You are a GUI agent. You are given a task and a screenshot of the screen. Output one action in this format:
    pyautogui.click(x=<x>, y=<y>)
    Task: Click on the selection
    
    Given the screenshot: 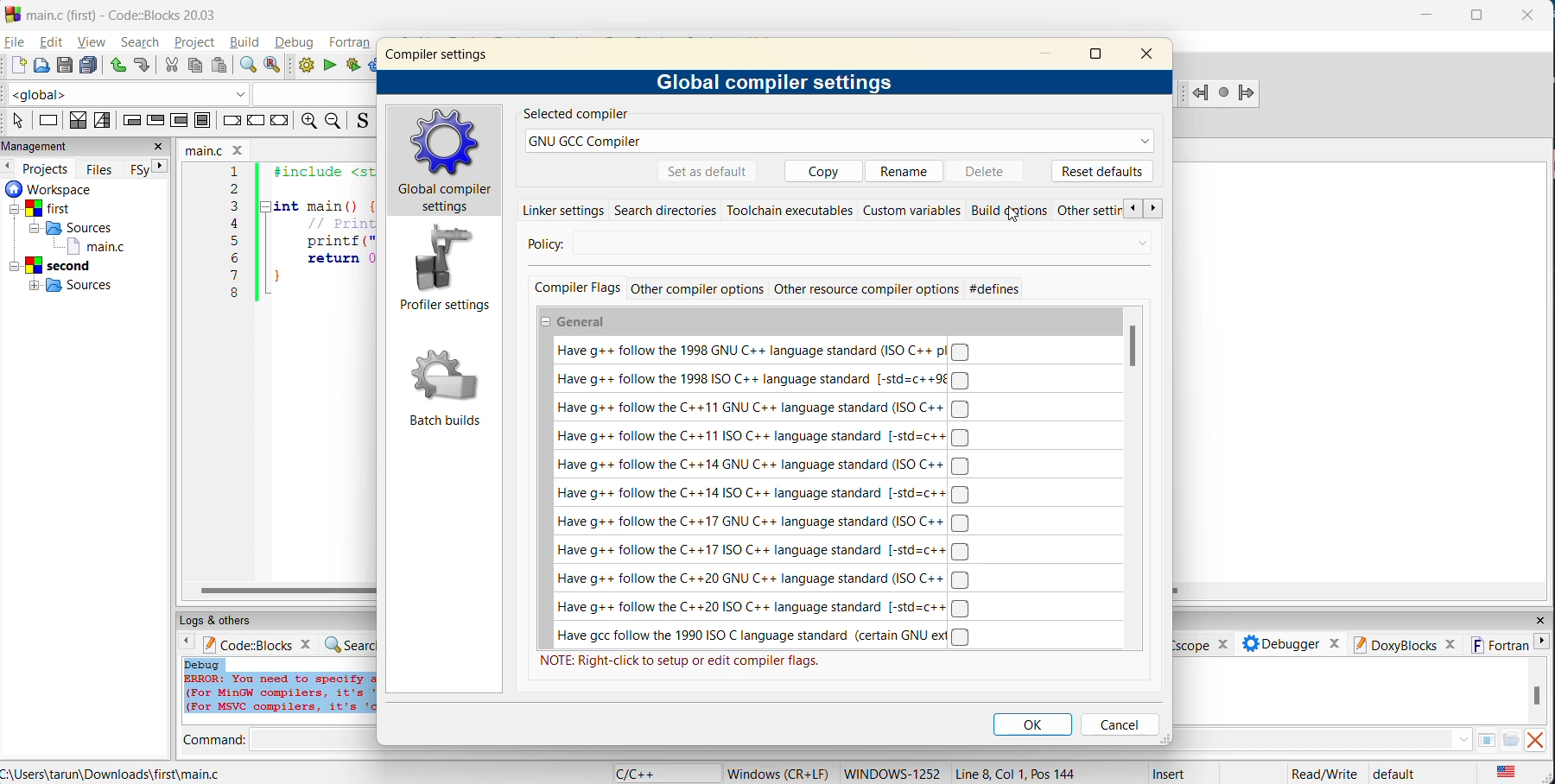 What is the action you would take?
    pyautogui.click(x=101, y=121)
    